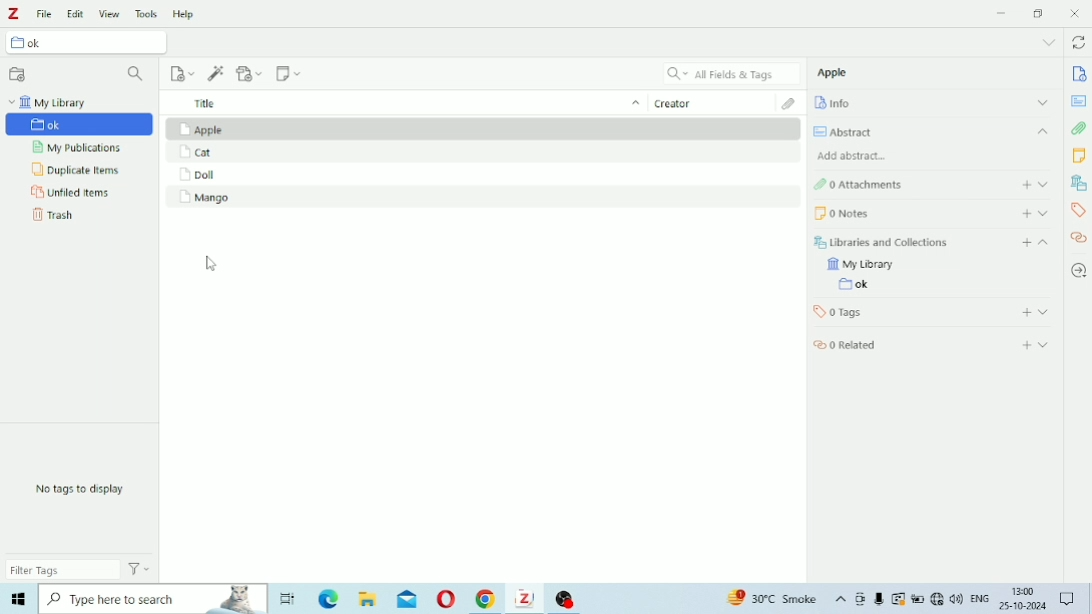 The image size is (1092, 614). What do you see at coordinates (142, 569) in the screenshot?
I see `Actions` at bounding box center [142, 569].